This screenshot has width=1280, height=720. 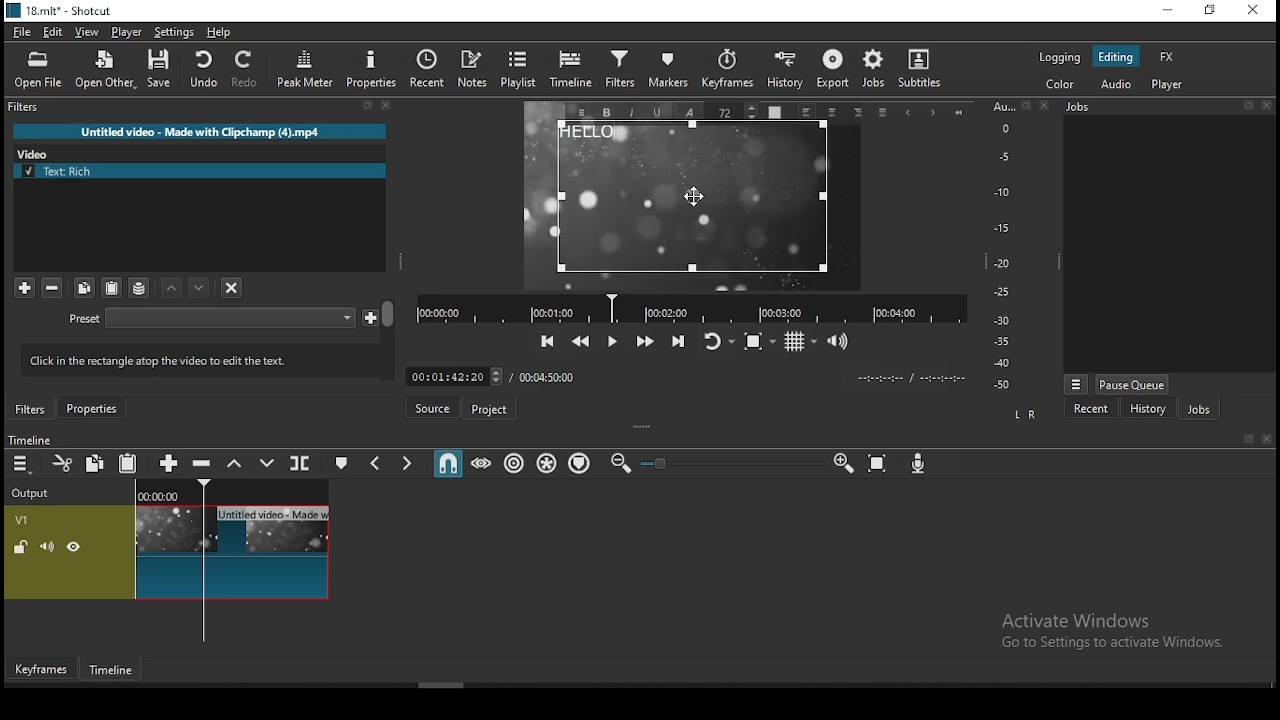 What do you see at coordinates (407, 461) in the screenshot?
I see `next marker` at bounding box center [407, 461].